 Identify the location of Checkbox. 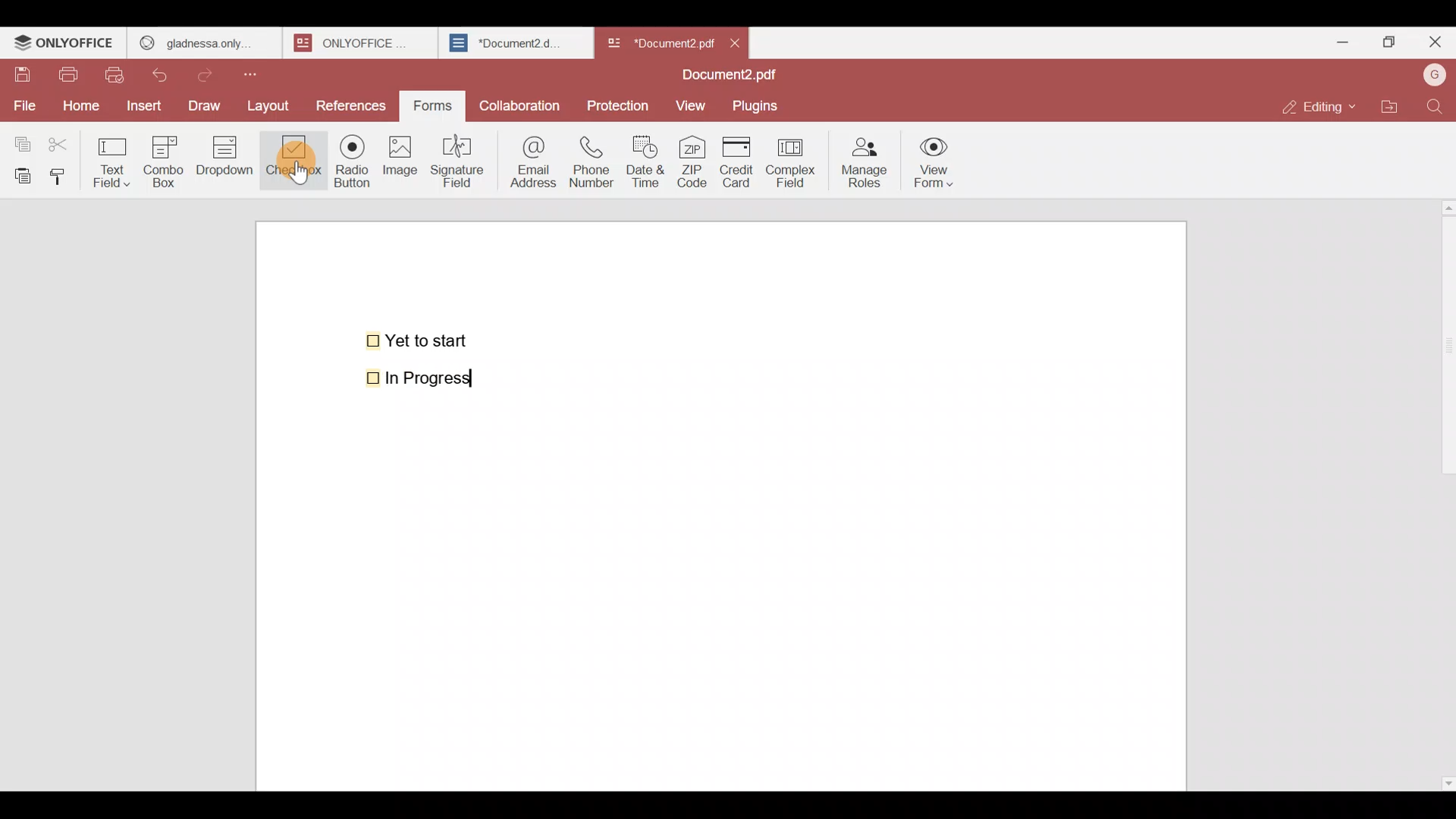
(290, 160).